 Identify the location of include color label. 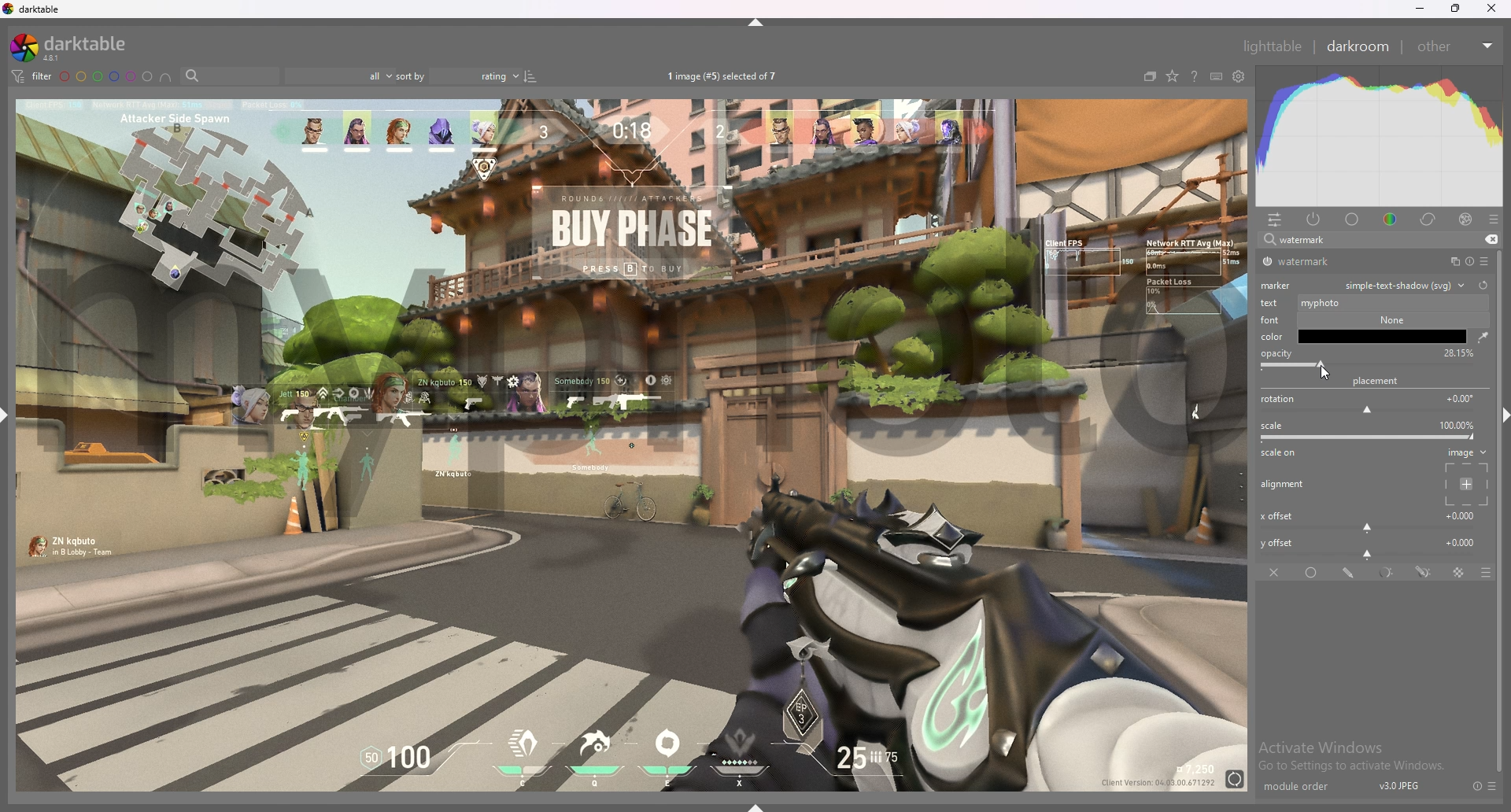
(165, 77).